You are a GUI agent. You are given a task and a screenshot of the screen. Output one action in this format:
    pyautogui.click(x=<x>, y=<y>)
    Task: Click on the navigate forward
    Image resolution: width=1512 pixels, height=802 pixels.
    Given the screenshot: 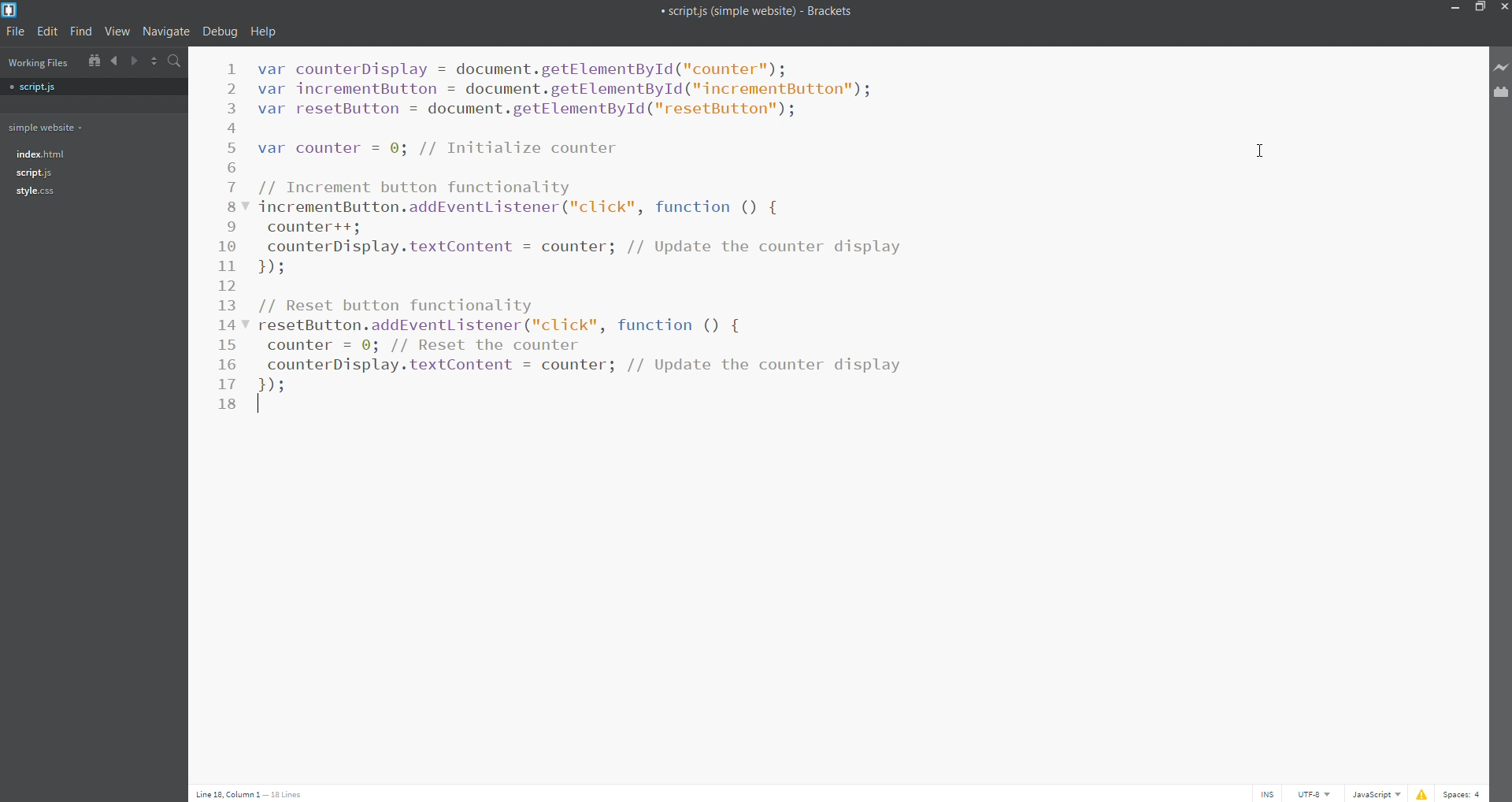 What is the action you would take?
    pyautogui.click(x=135, y=61)
    